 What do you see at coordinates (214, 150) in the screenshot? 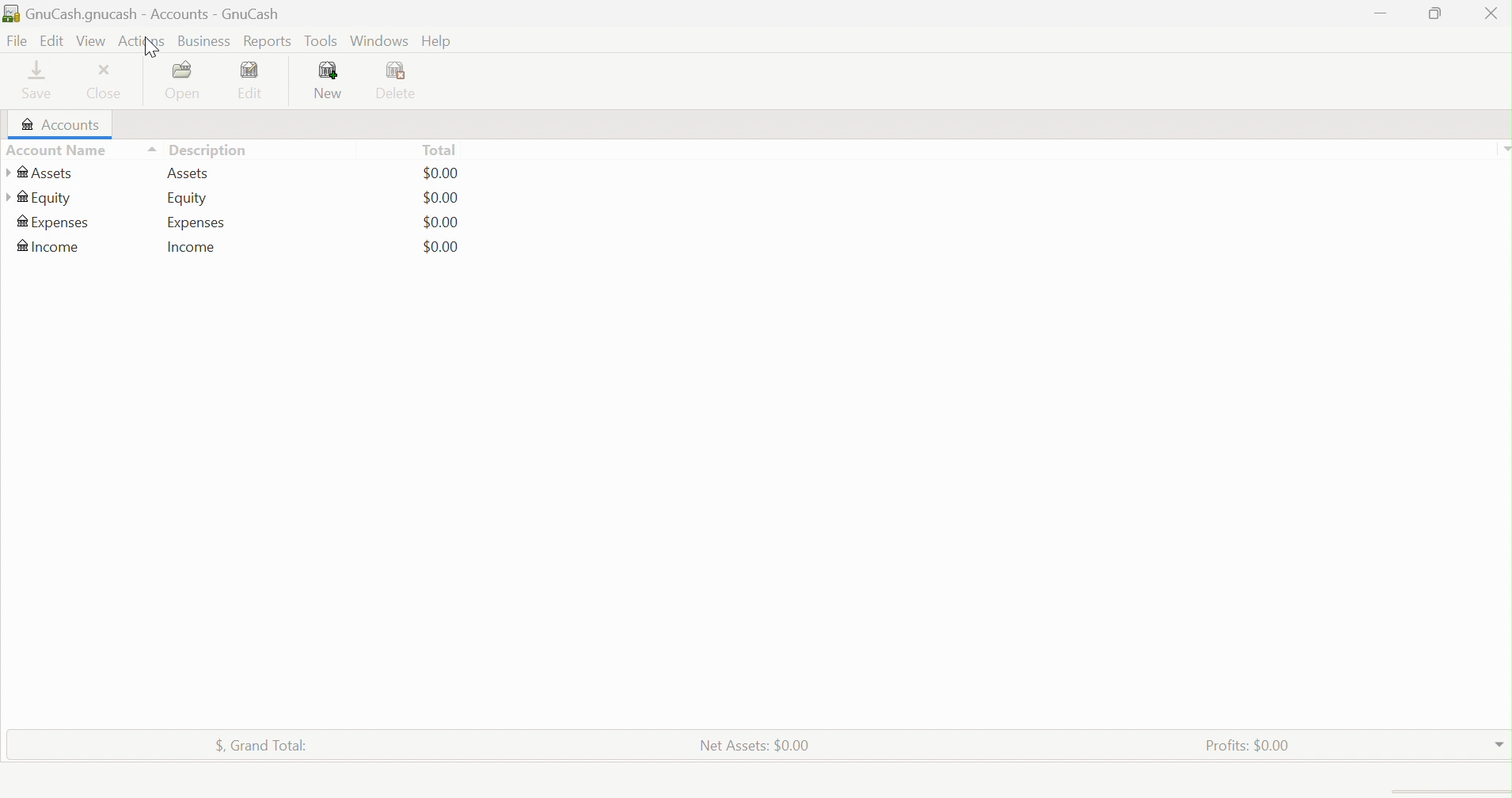
I see `Description` at bounding box center [214, 150].